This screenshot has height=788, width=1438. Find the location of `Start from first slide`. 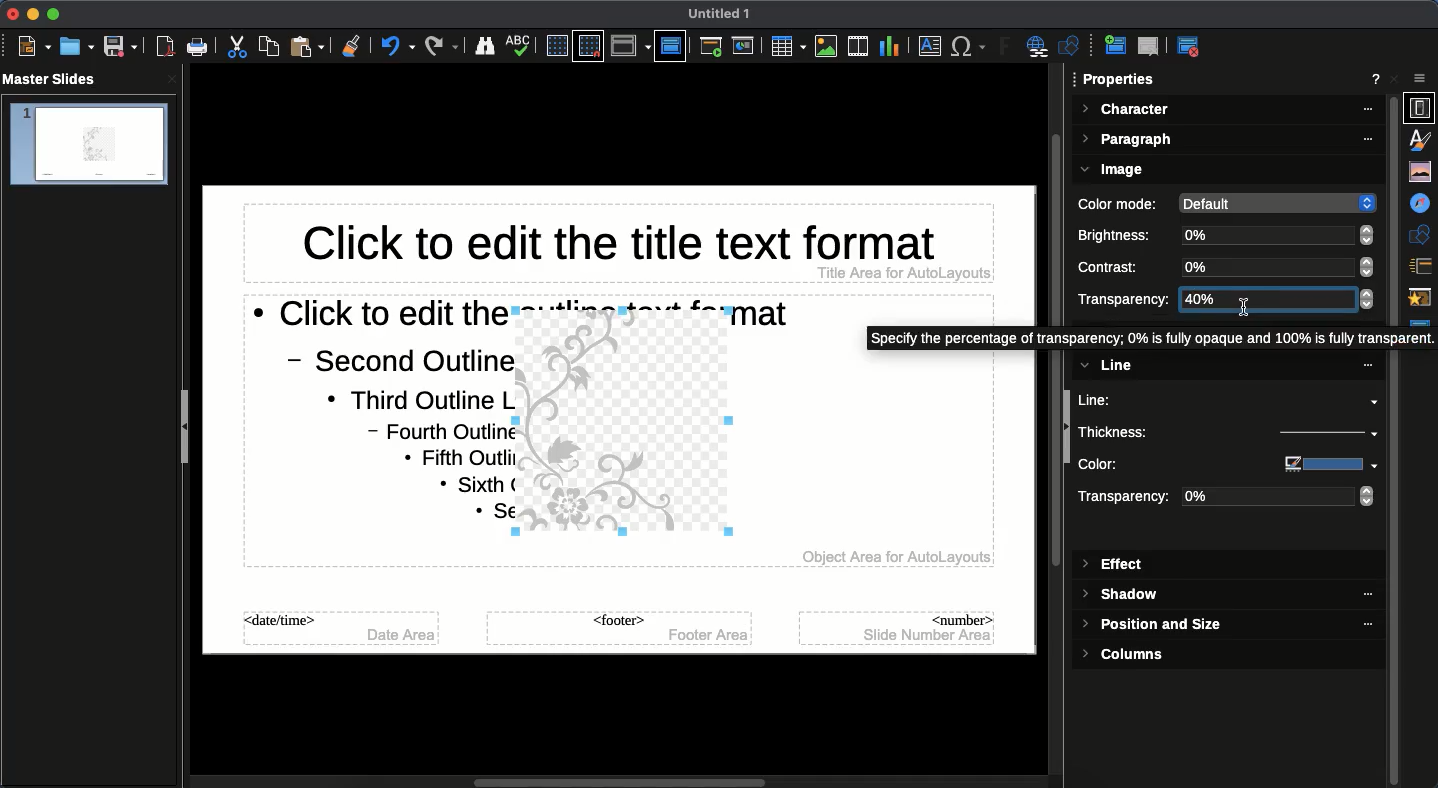

Start from first slide is located at coordinates (713, 49).